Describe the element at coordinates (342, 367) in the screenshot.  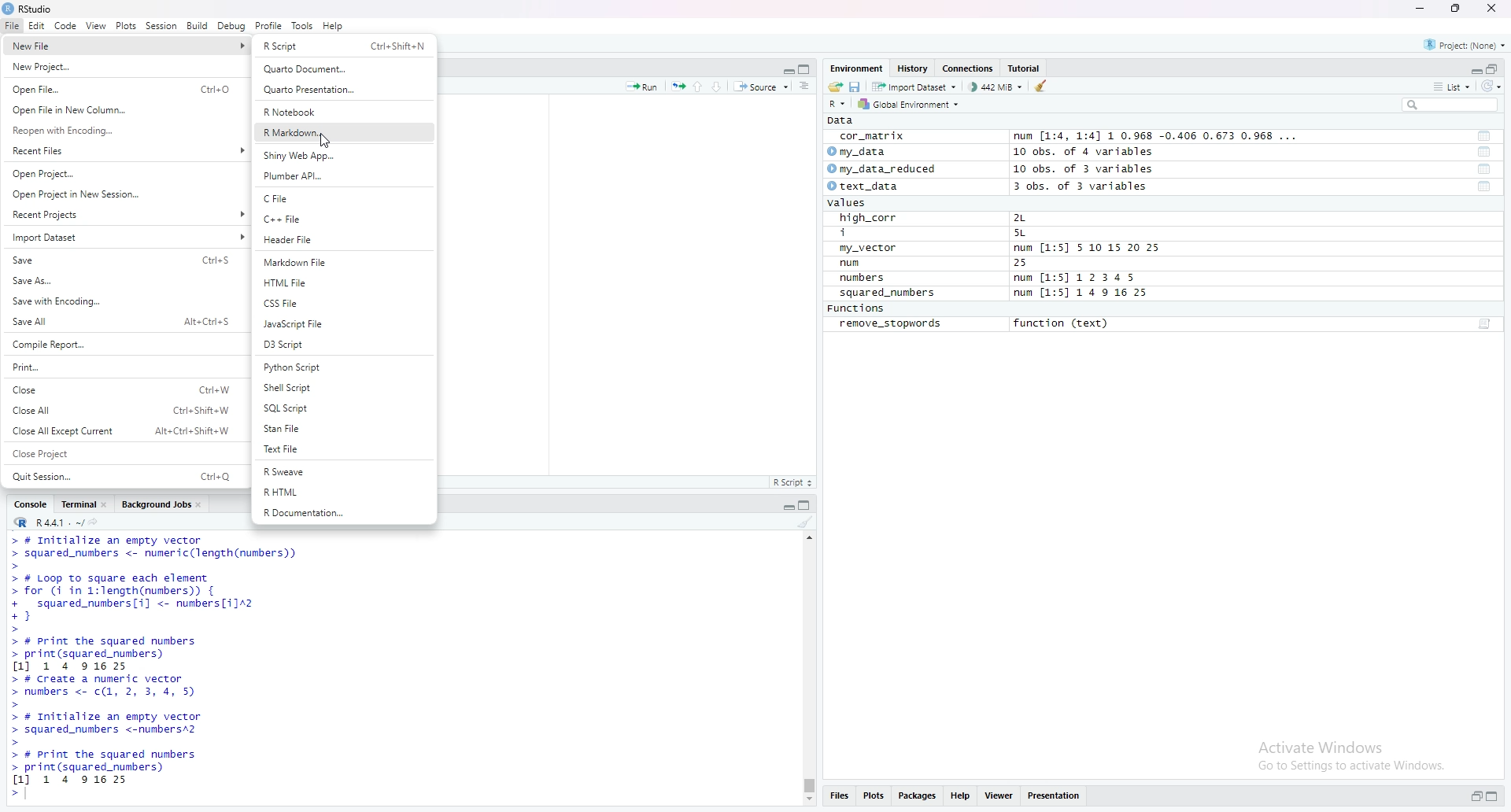
I see `Python Script` at that location.